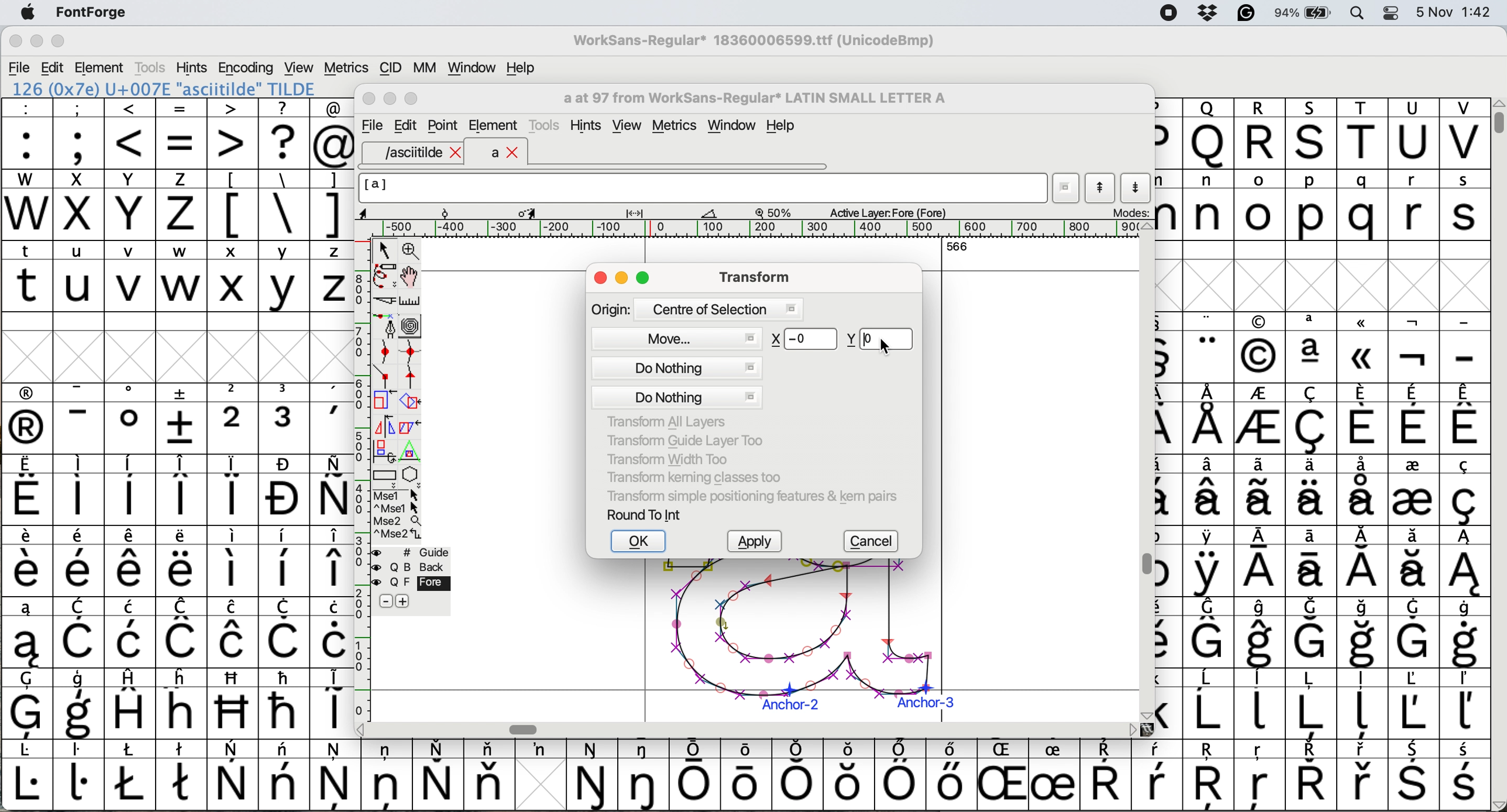 Image resolution: width=1507 pixels, height=812 pixels. Describe the element at coordinates (411, 325) in the screenshot. I see `change whether spiro is active or not` at that location.